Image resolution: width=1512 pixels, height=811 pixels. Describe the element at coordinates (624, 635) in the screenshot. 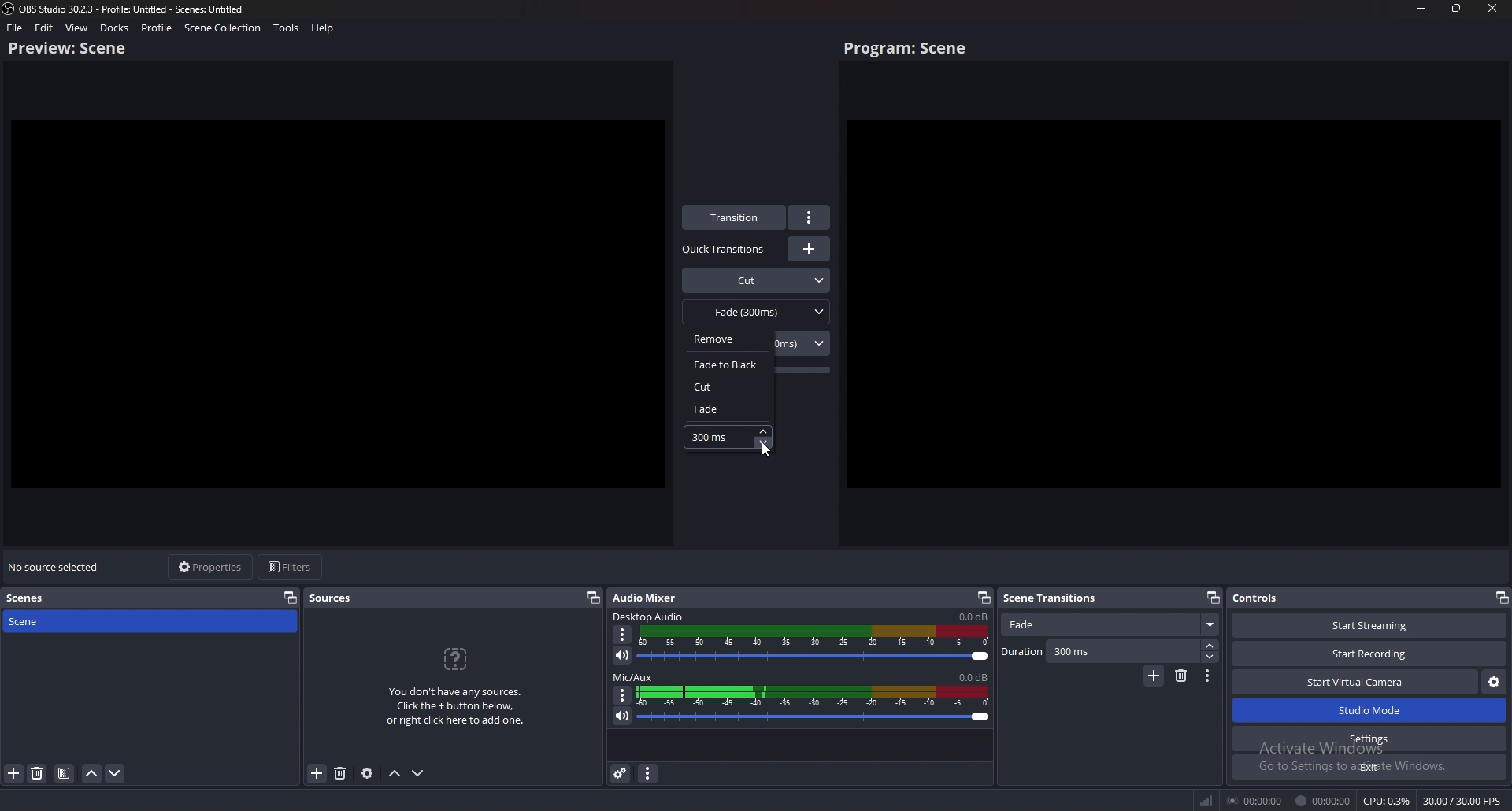

I see `Options` at that location.